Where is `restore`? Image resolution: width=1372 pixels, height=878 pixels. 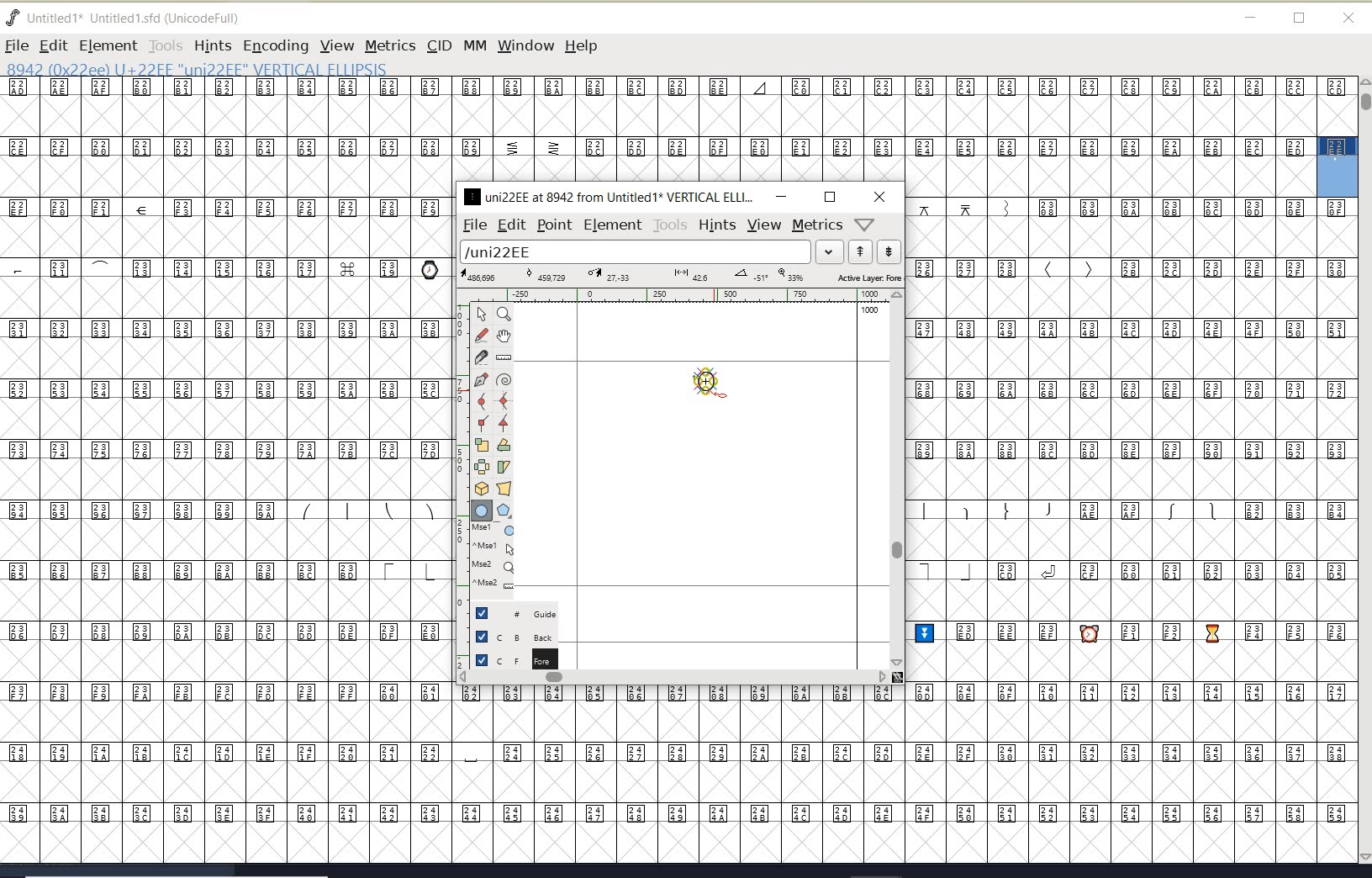
restore is located at coordinates (1300, 19).